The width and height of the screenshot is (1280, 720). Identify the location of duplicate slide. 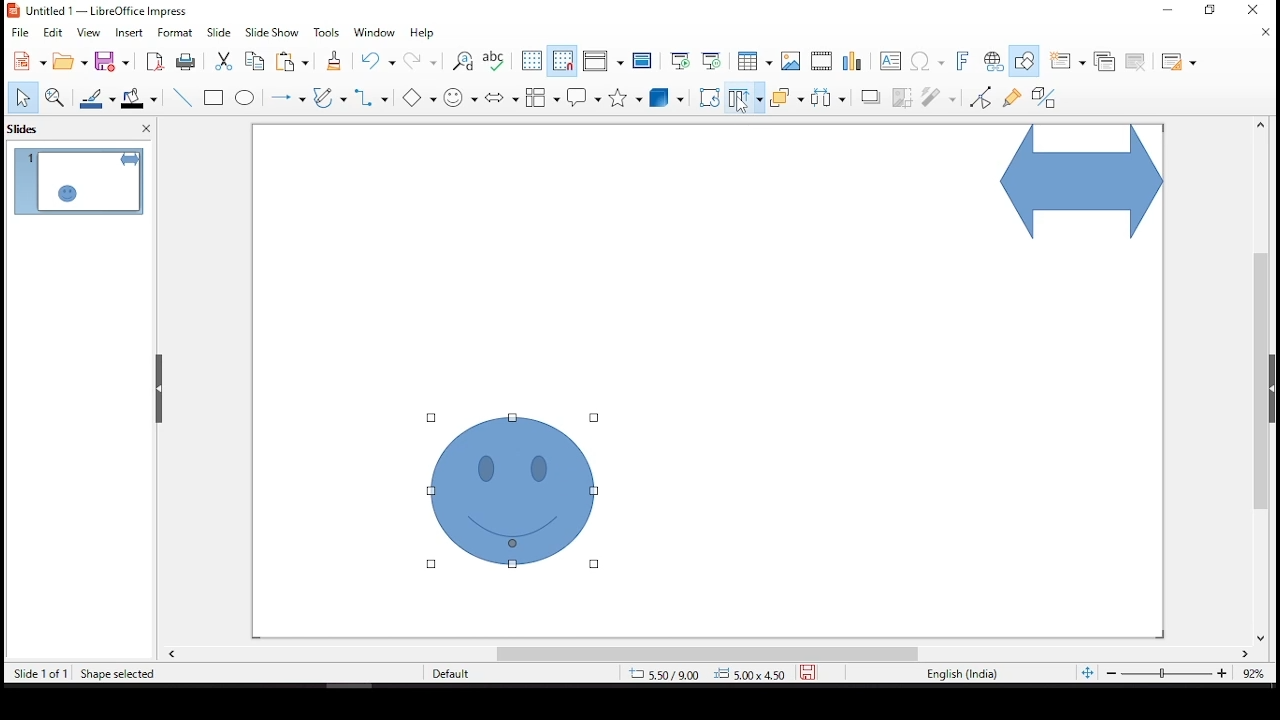
(1106, 59).